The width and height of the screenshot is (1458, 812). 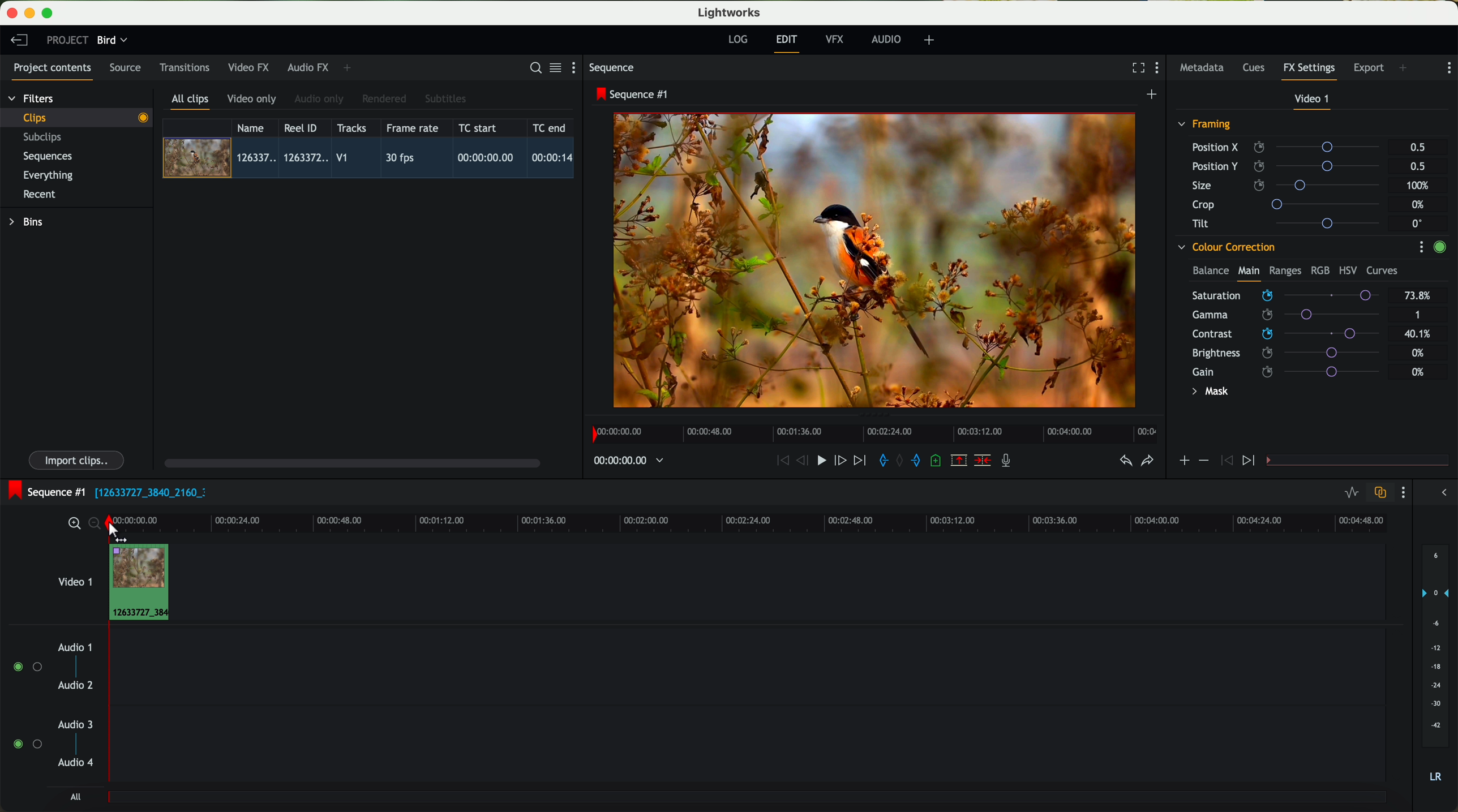 What do you see at coordinates (1204, 68) in the screenshot?
I see `metadata` at bounding box center [1204, 68].